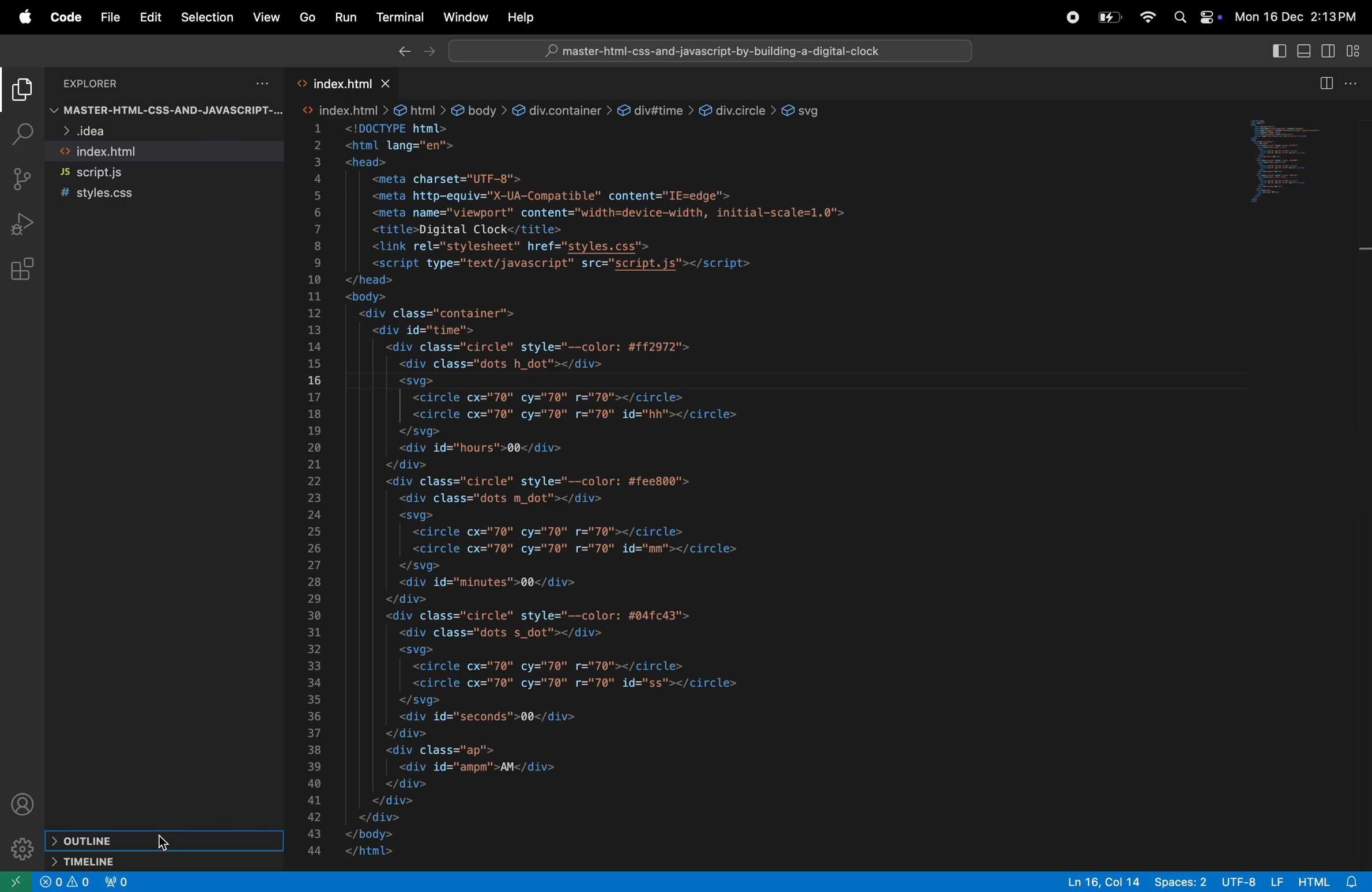 The image size is (1372, 892). What do you see at coordinates (464, 17) in the screenshot?
I see `window` at bounding box center [464, 17].